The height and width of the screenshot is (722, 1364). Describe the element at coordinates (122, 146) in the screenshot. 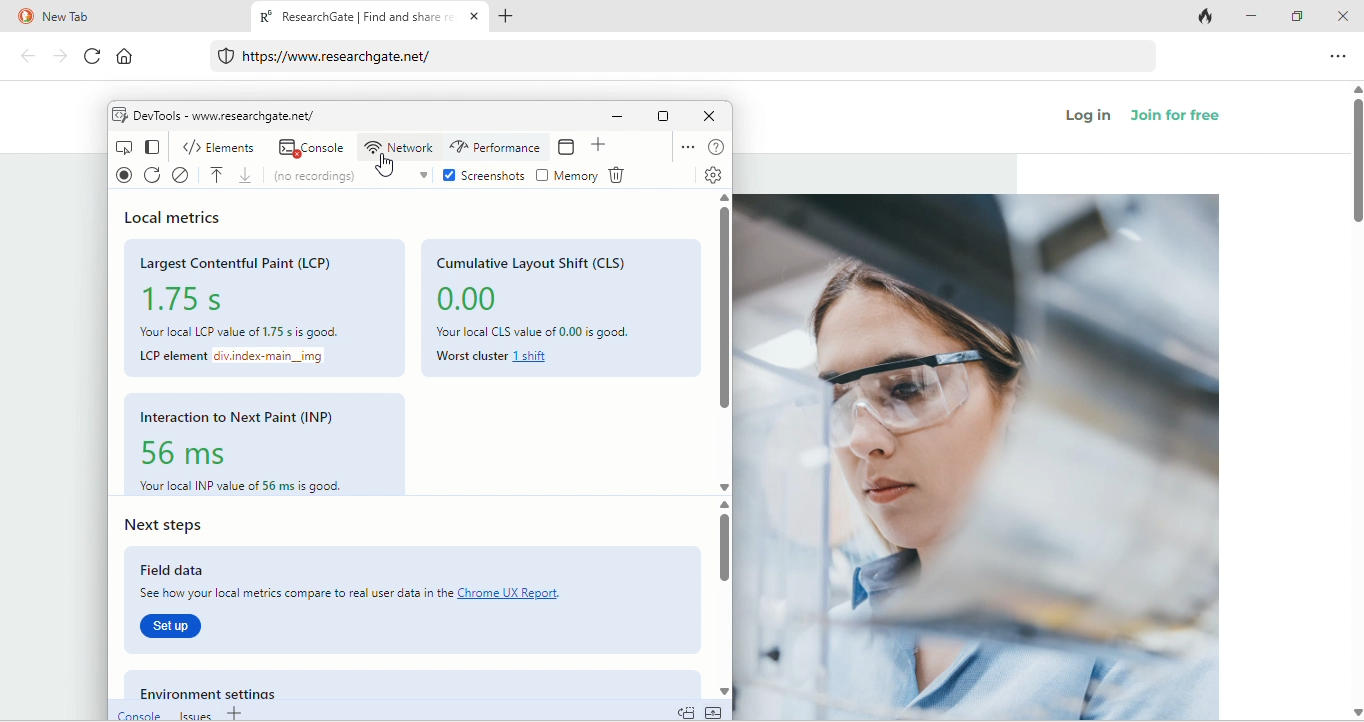

I see `inspect` at that location.